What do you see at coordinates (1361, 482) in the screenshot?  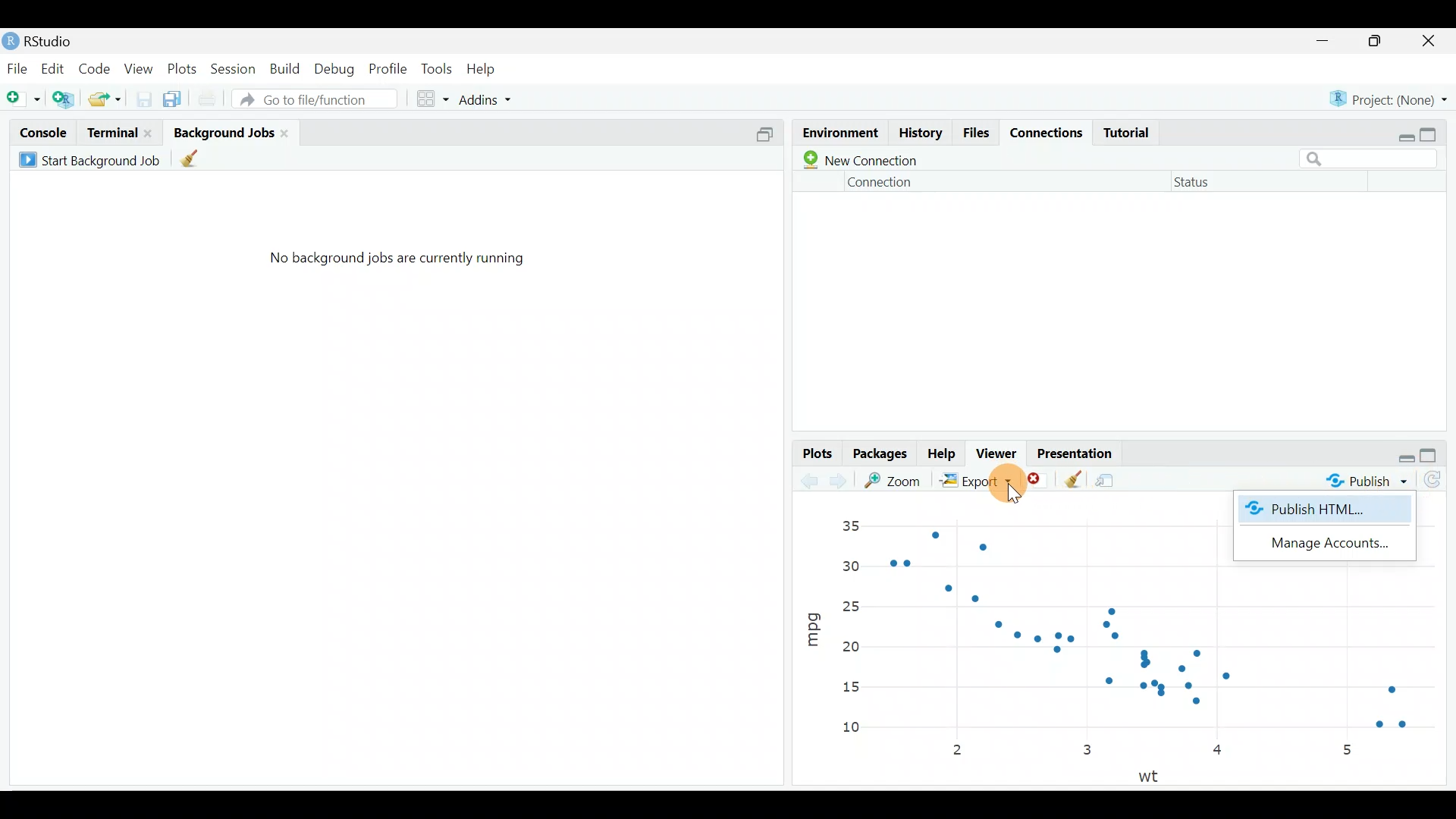 I see `Publish` at bounding box center [1361, 482].